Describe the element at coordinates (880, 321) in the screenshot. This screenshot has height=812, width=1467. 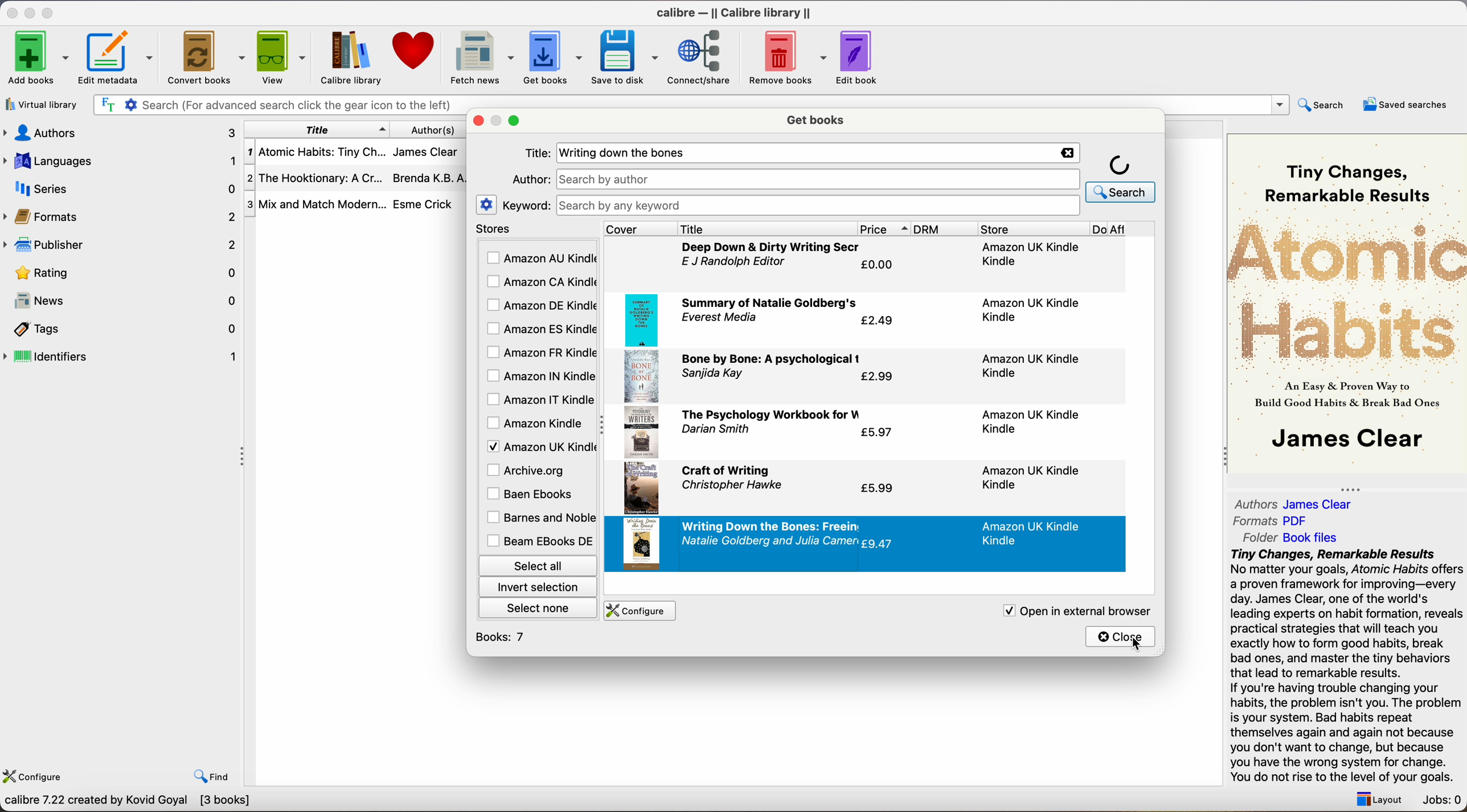
I see `€2.49` at that location.